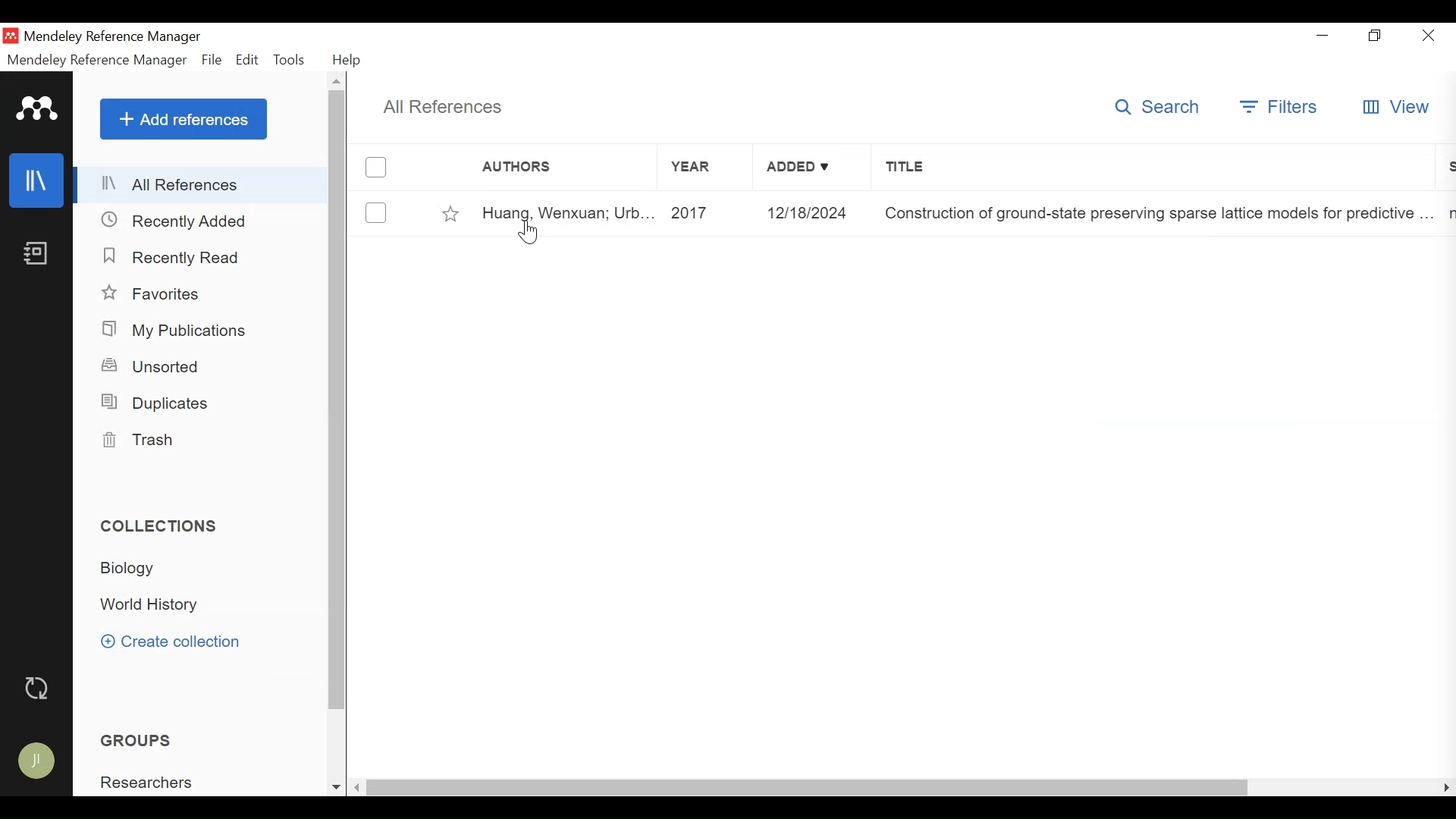  I want to click on Add References, so click(183, 119).